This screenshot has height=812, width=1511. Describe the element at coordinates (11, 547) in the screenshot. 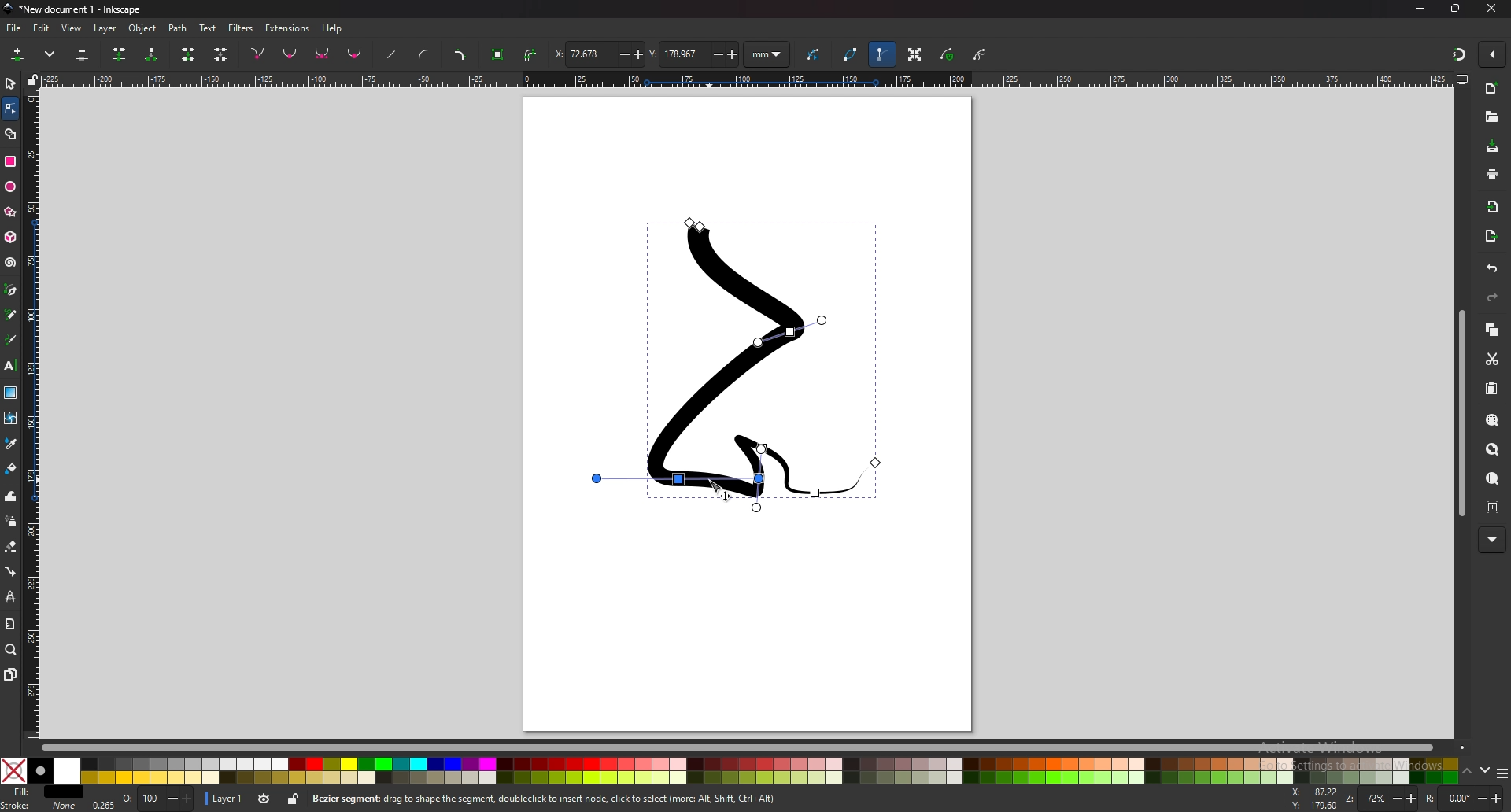

I see `erase` at that location.